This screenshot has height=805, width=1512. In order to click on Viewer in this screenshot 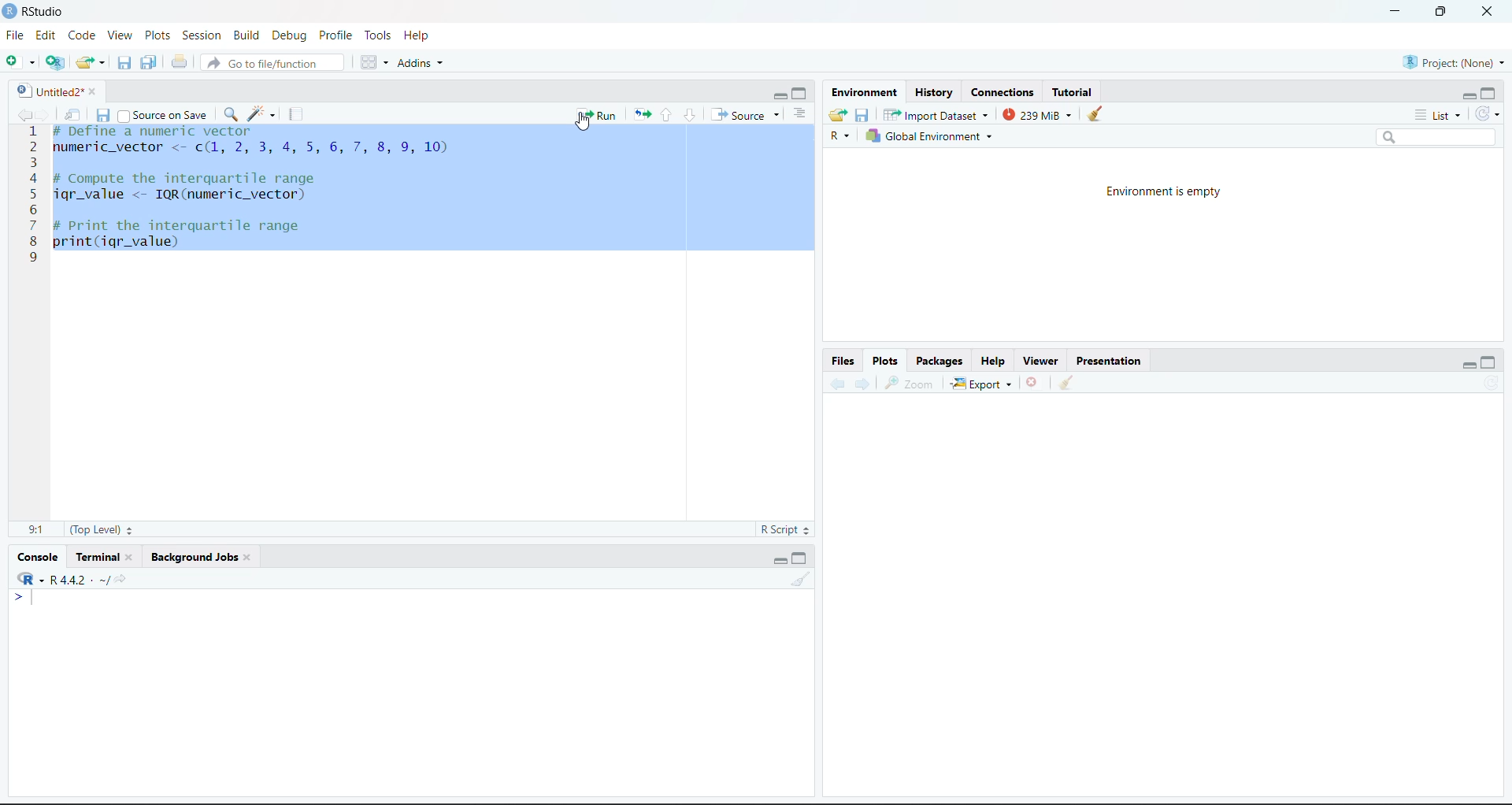, I will do `click(1040, 359)`.